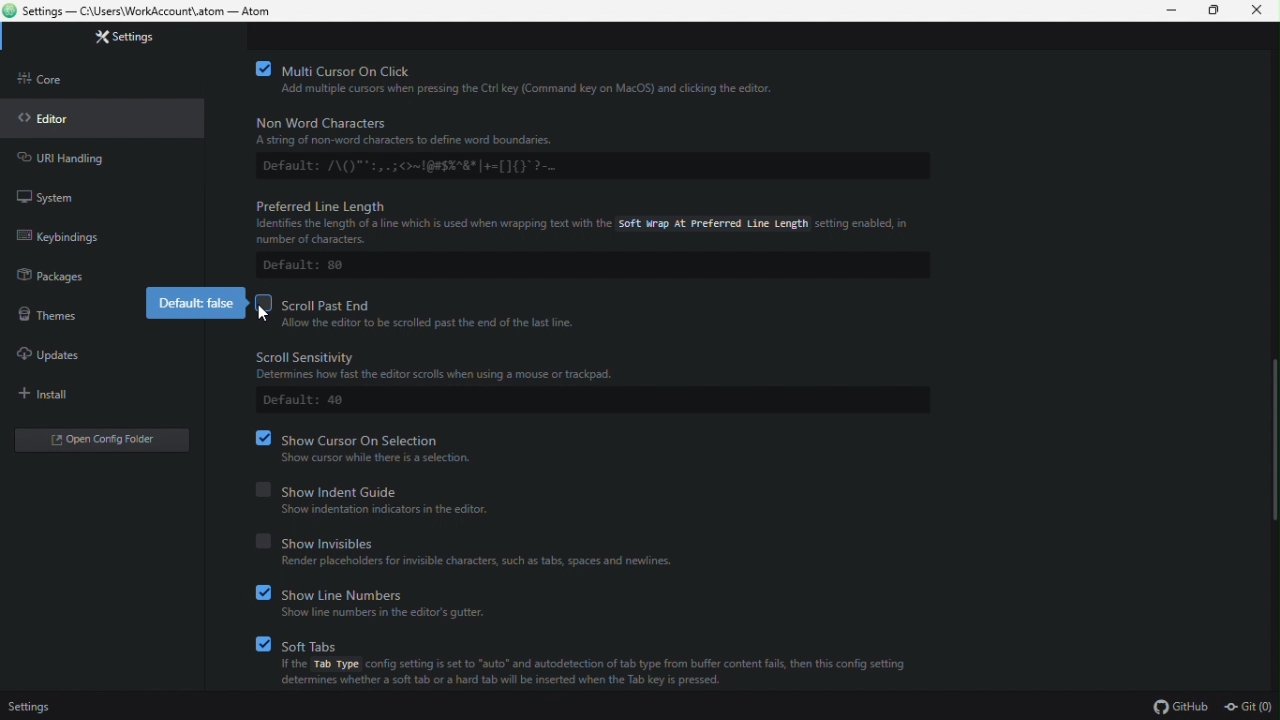  Describe the element at coordinates (418, 488) in the screenshot. I see `Show indent guide` at that location.